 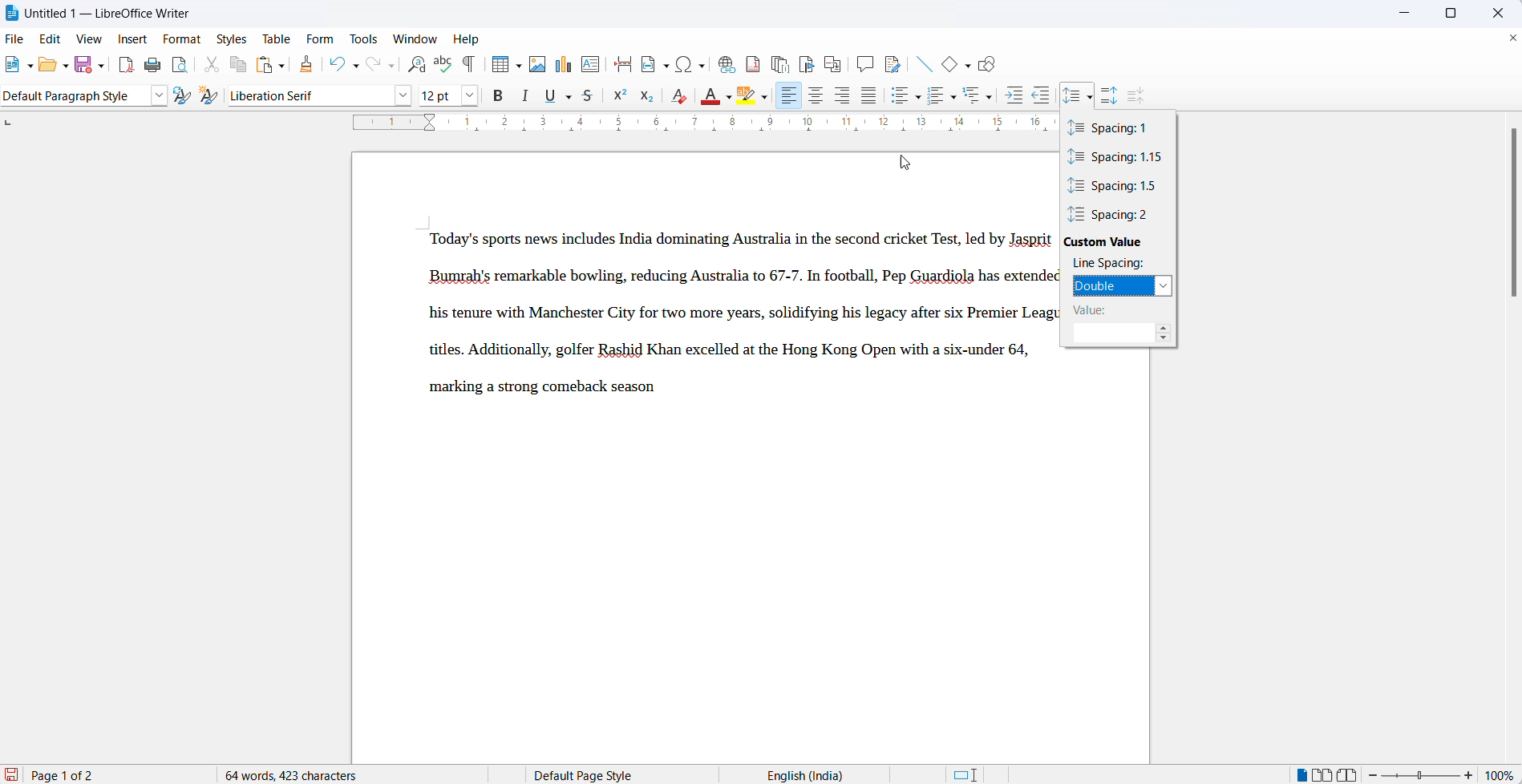 I want to click on window, so click(x=415, y=39).